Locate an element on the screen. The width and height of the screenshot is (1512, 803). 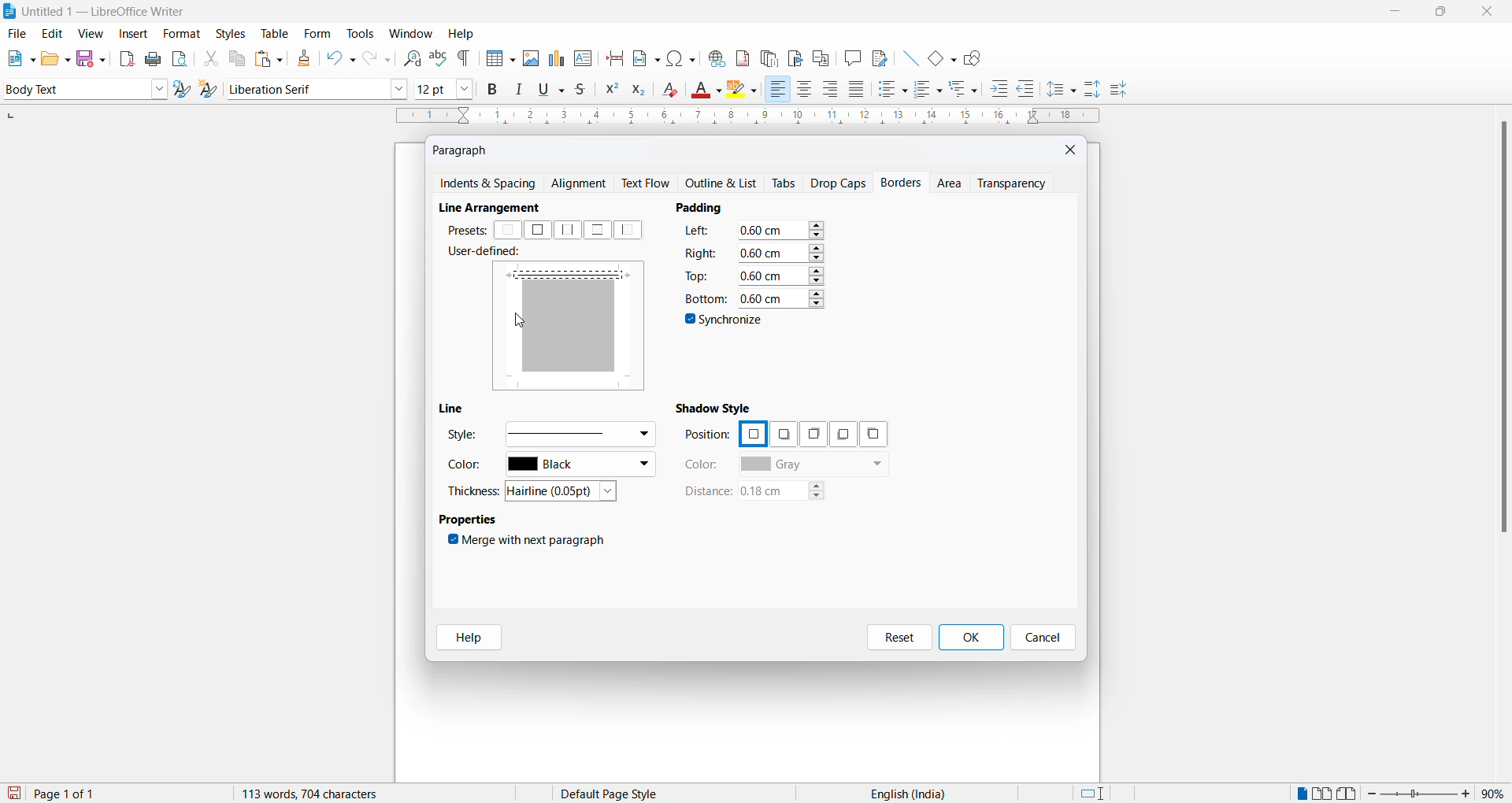
help is located at coordinates (464, 638).